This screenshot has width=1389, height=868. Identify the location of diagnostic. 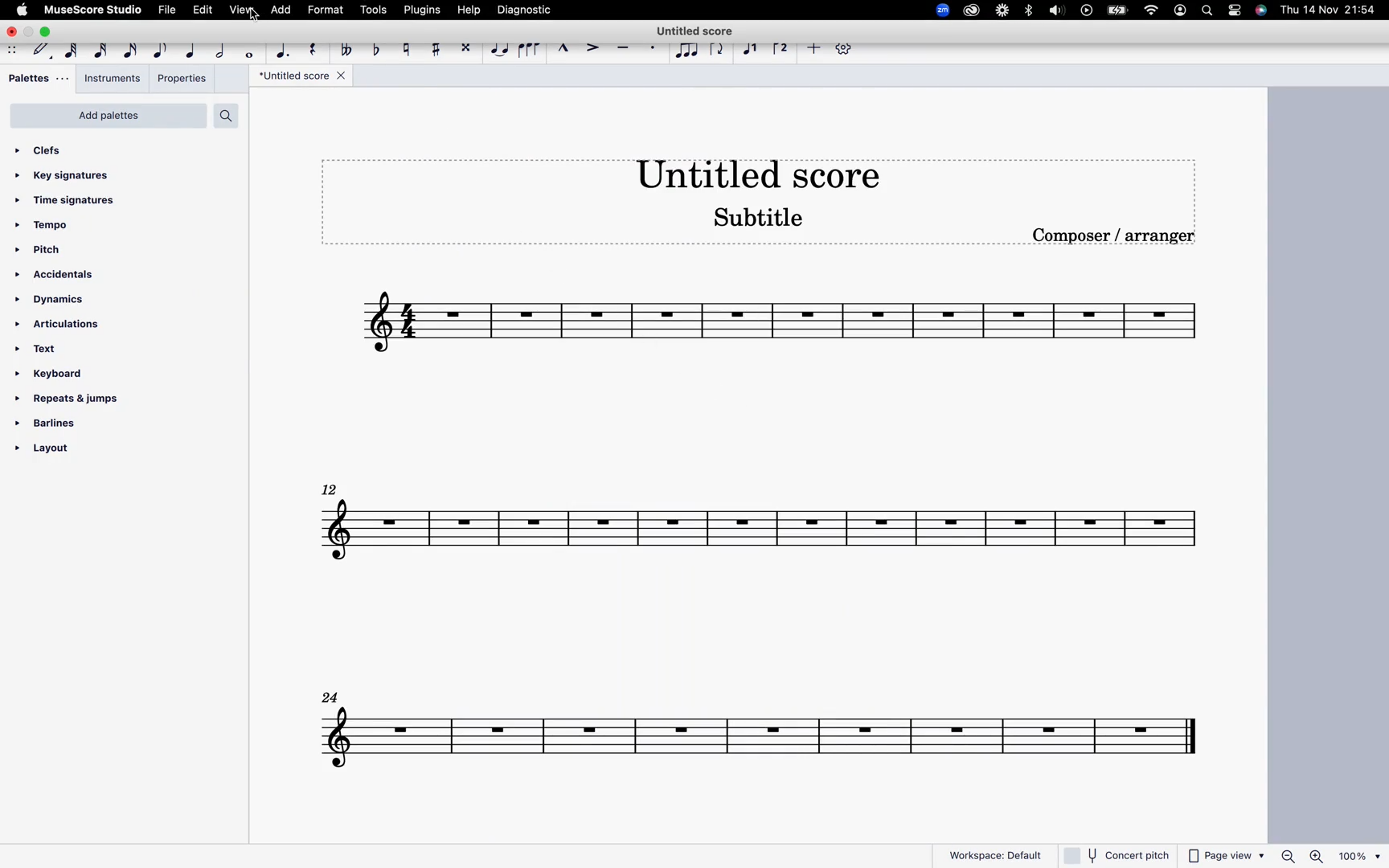
(524, 10).